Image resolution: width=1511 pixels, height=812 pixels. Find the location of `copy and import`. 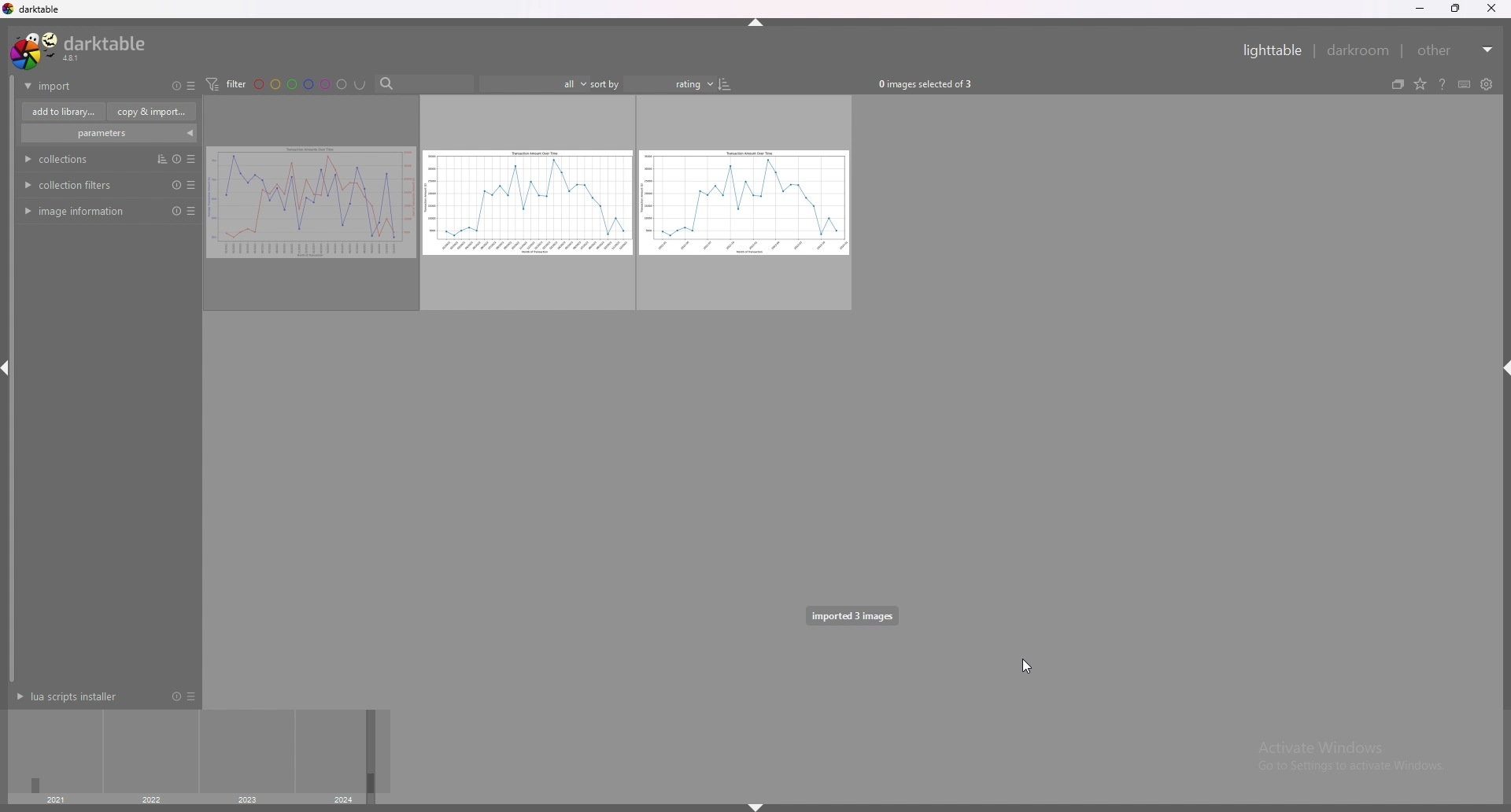

copy and import is located at coordinates (152, 111).